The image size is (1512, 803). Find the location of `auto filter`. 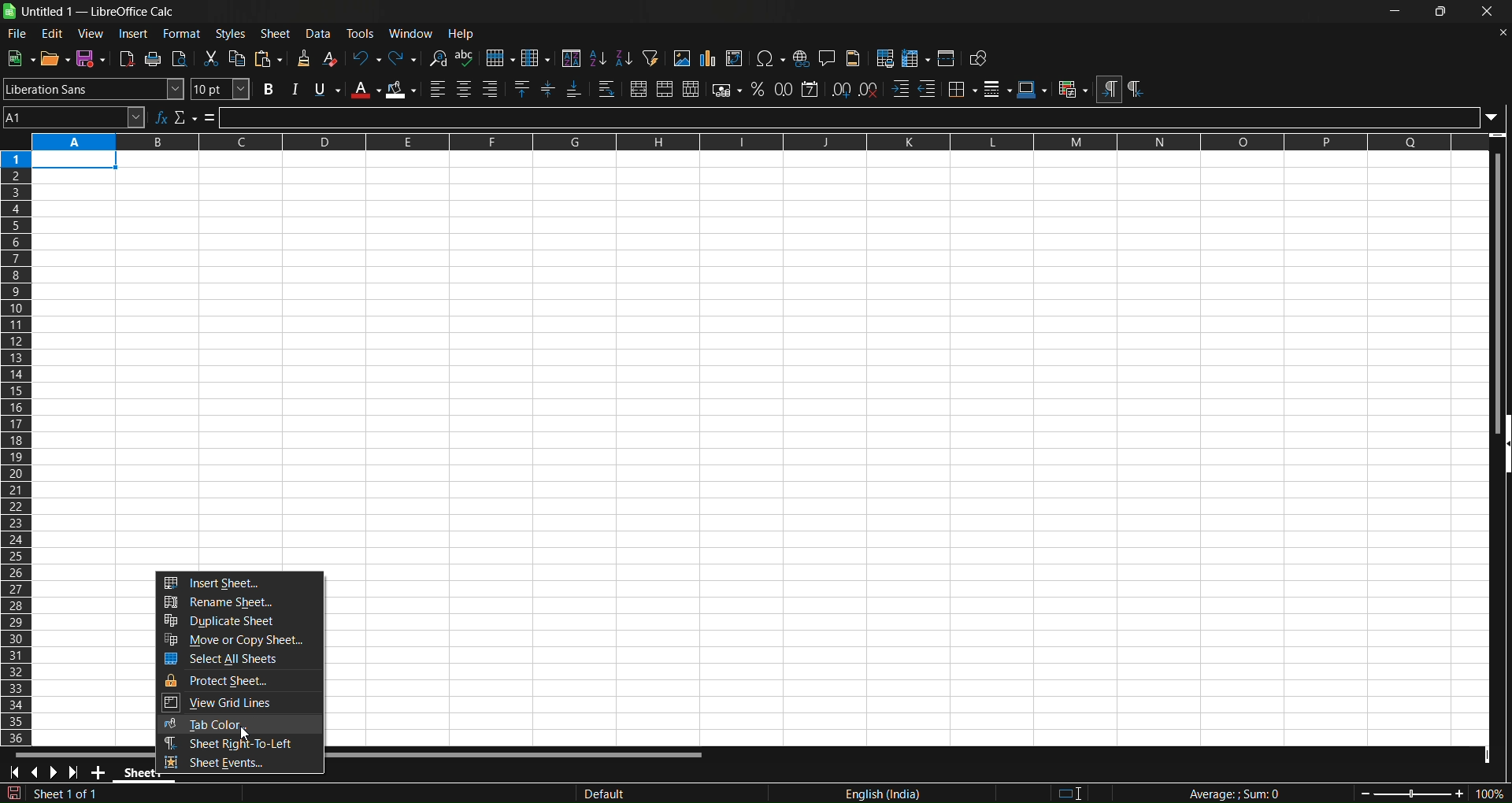

auto filter is located at coordinates (650, 57).